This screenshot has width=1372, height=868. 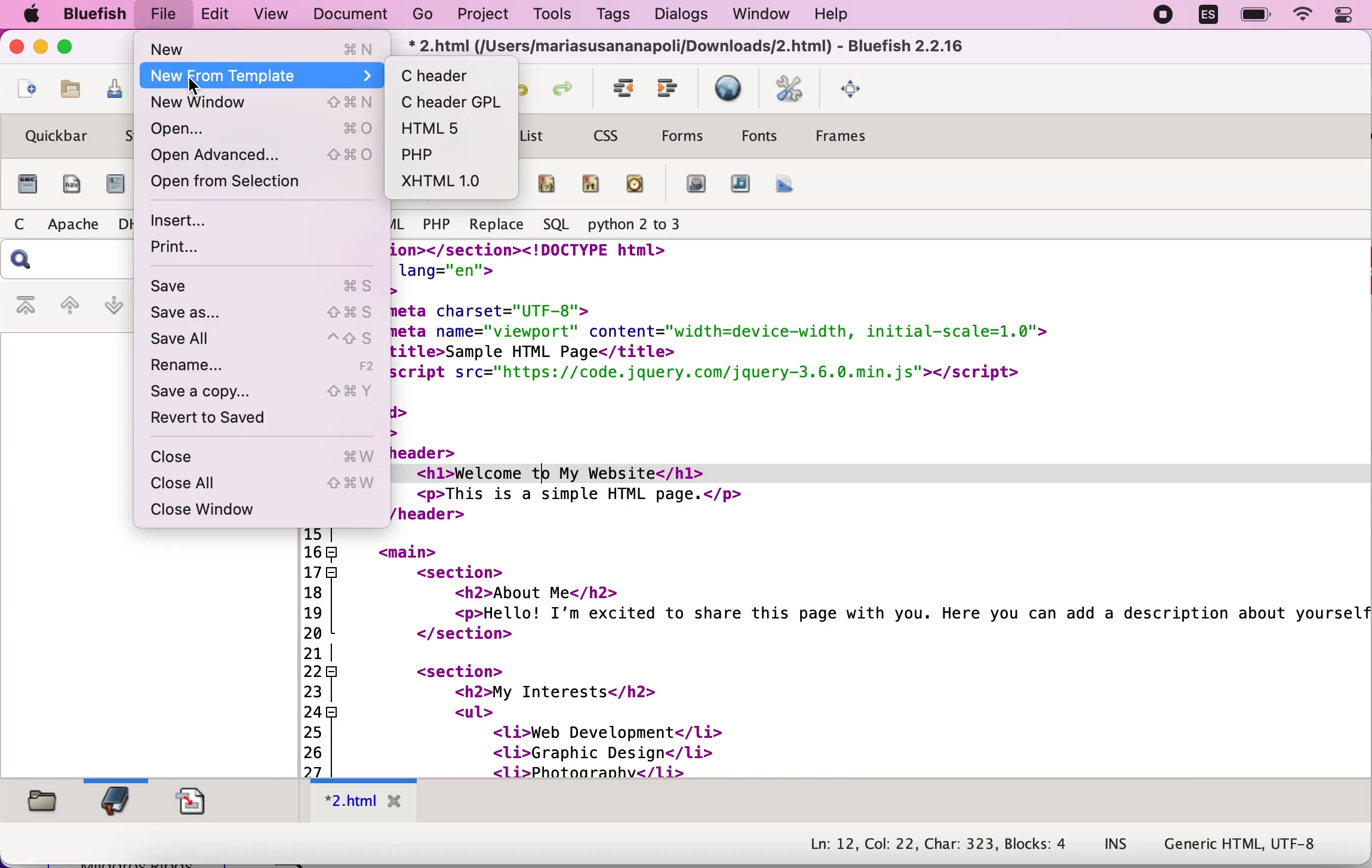 I want to click on open advanced, so click(x=262, y=158).